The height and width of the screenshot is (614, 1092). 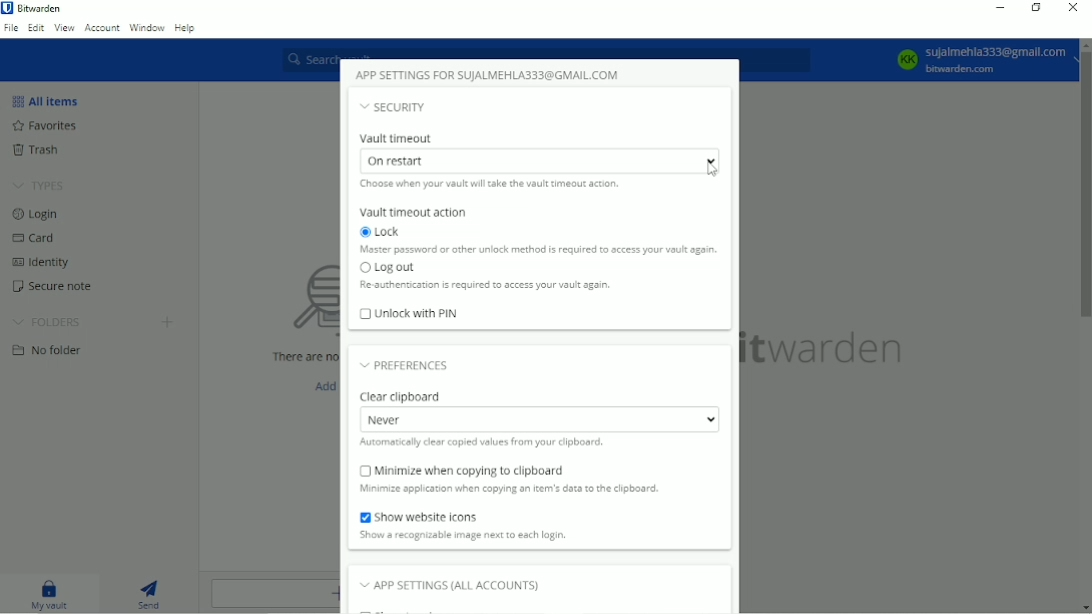 What do you see at coordinates (411, 364) in the screenshot?
I see `Preferences` at bounding box center [411, 364].